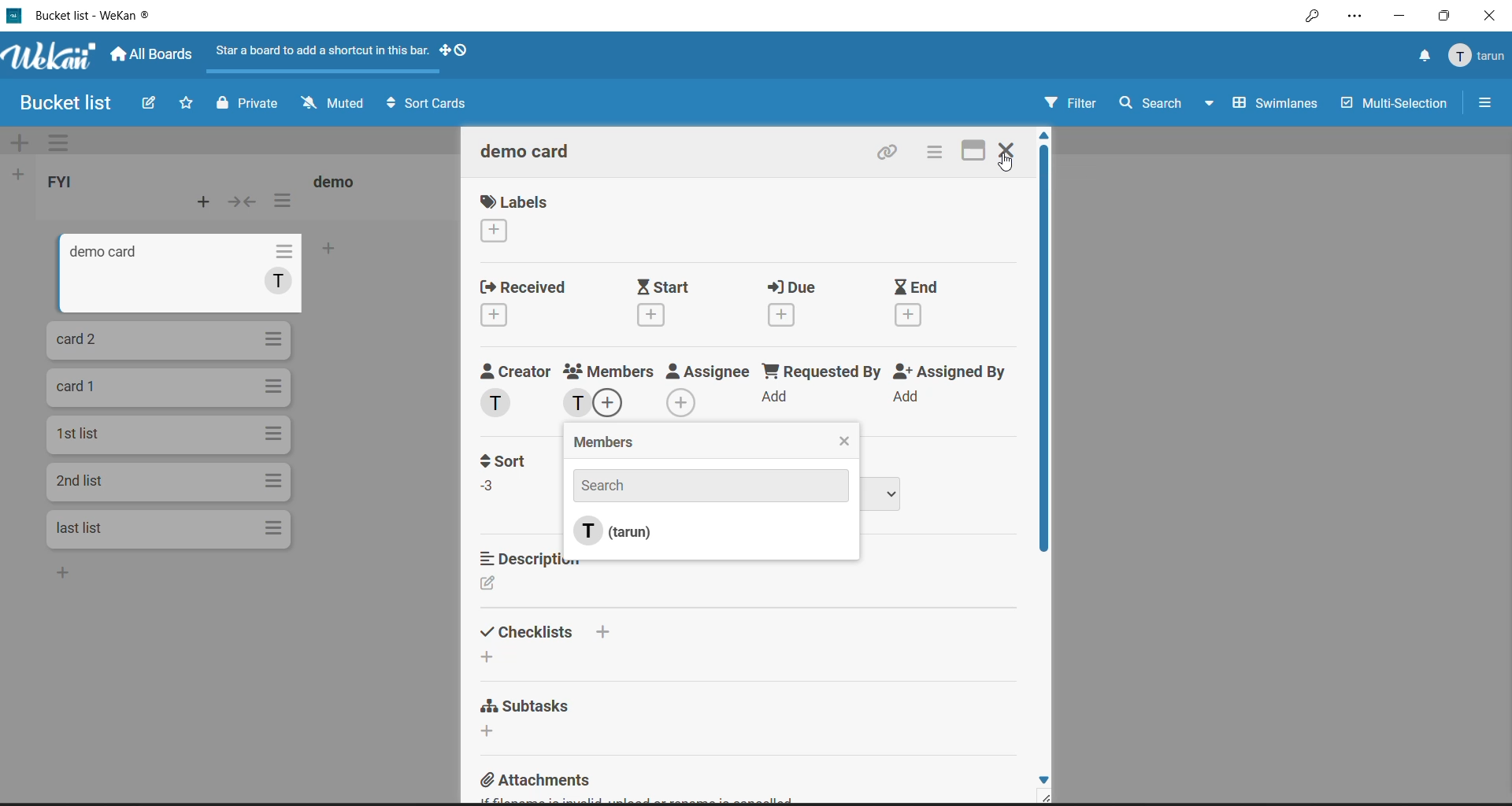 The width and height of the screenshot is (1512, 806). I want to click on requested by, so click(821, 372).